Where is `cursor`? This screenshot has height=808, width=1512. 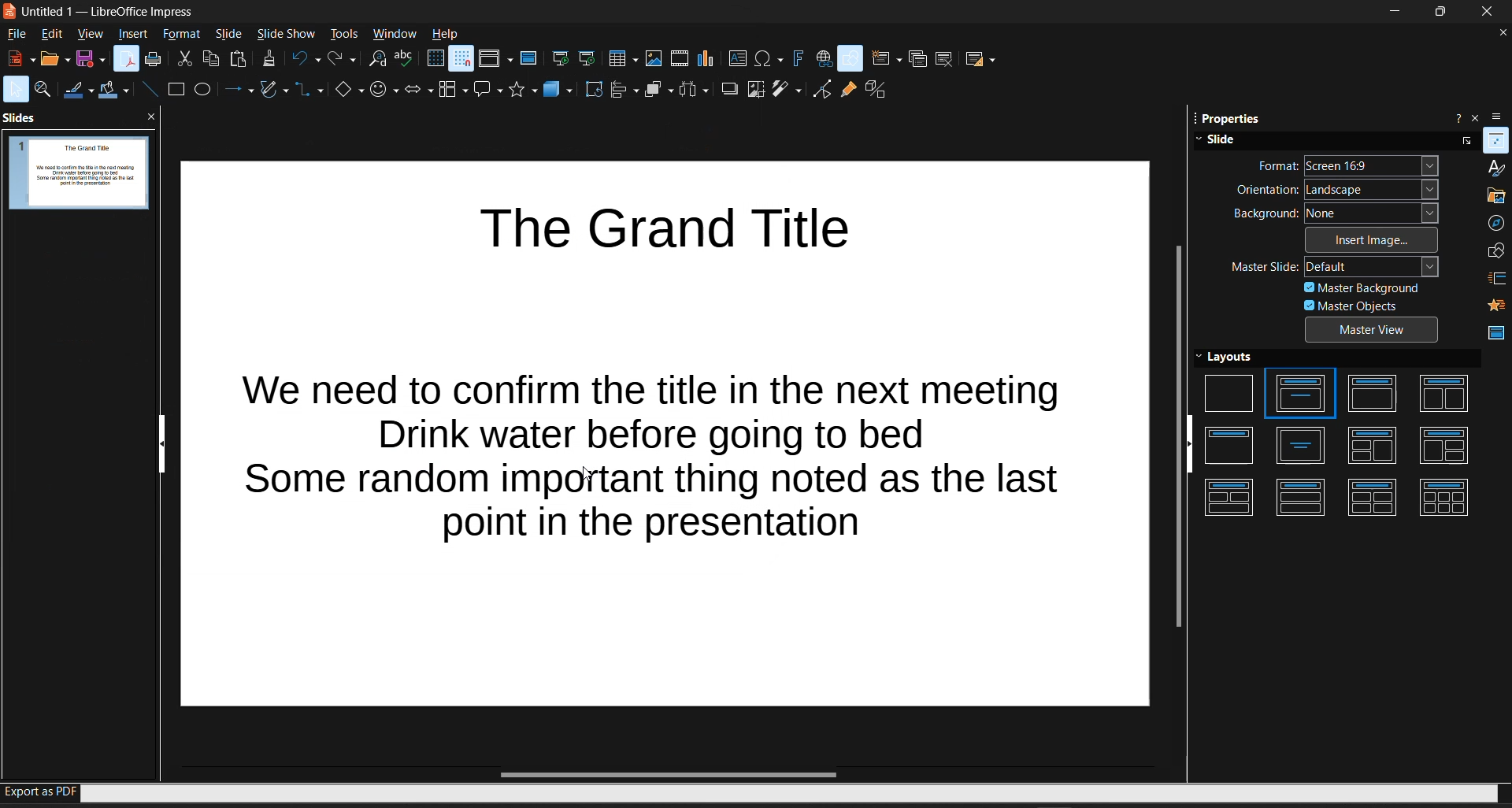 cursor is located at coordinates (590, 473).